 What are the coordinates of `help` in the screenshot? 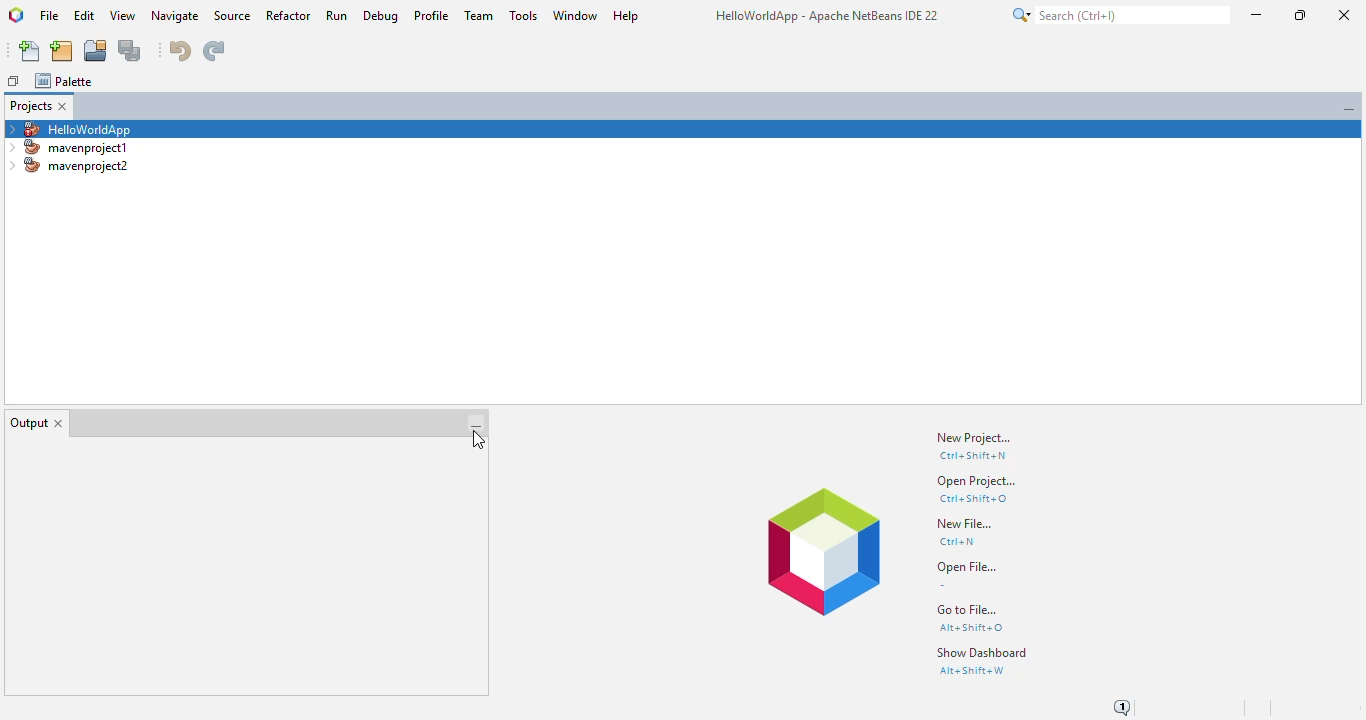 It's located at (626, 16).